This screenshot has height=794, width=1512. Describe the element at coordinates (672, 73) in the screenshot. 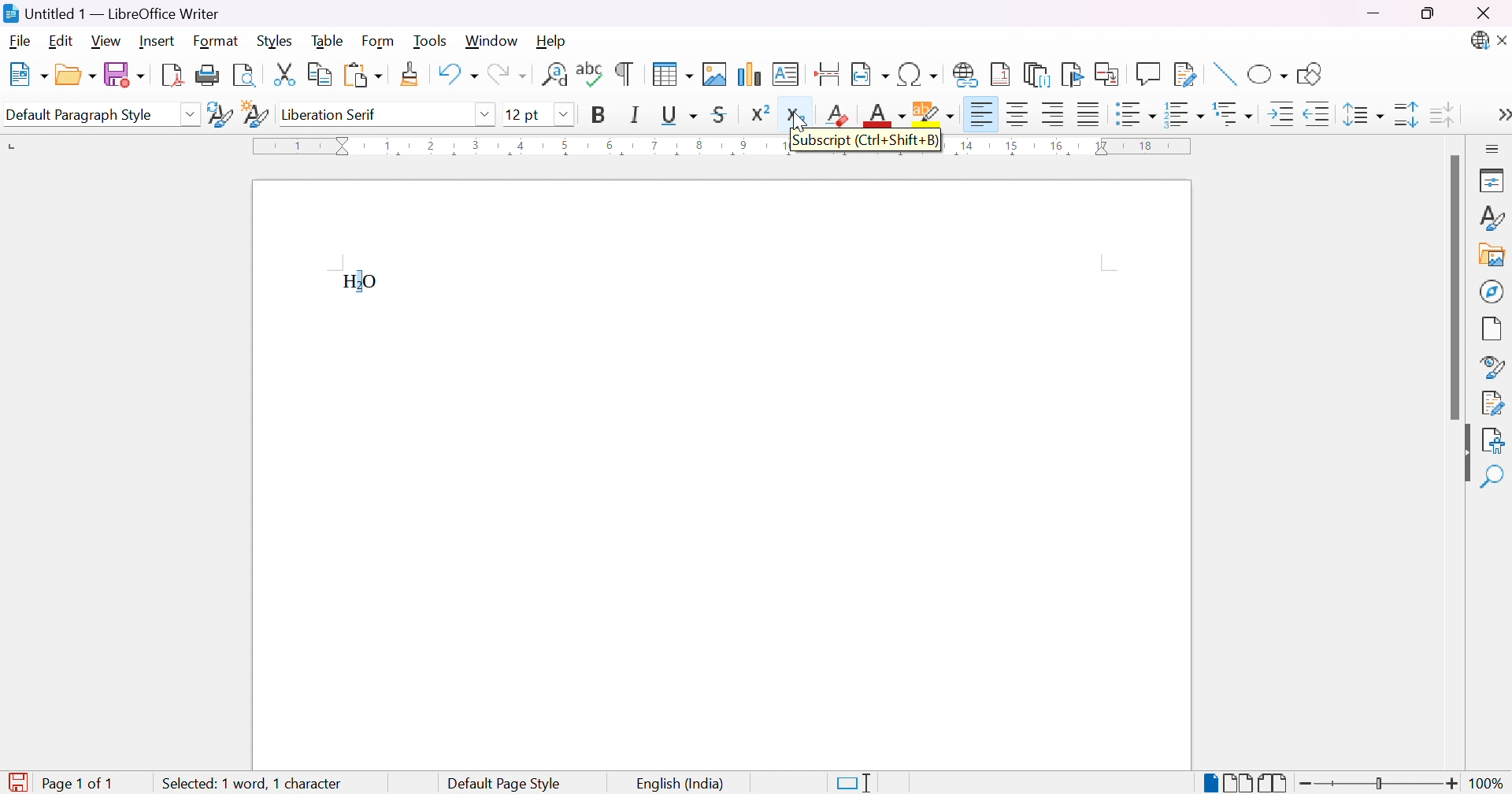

I see `Insert table` at that location.